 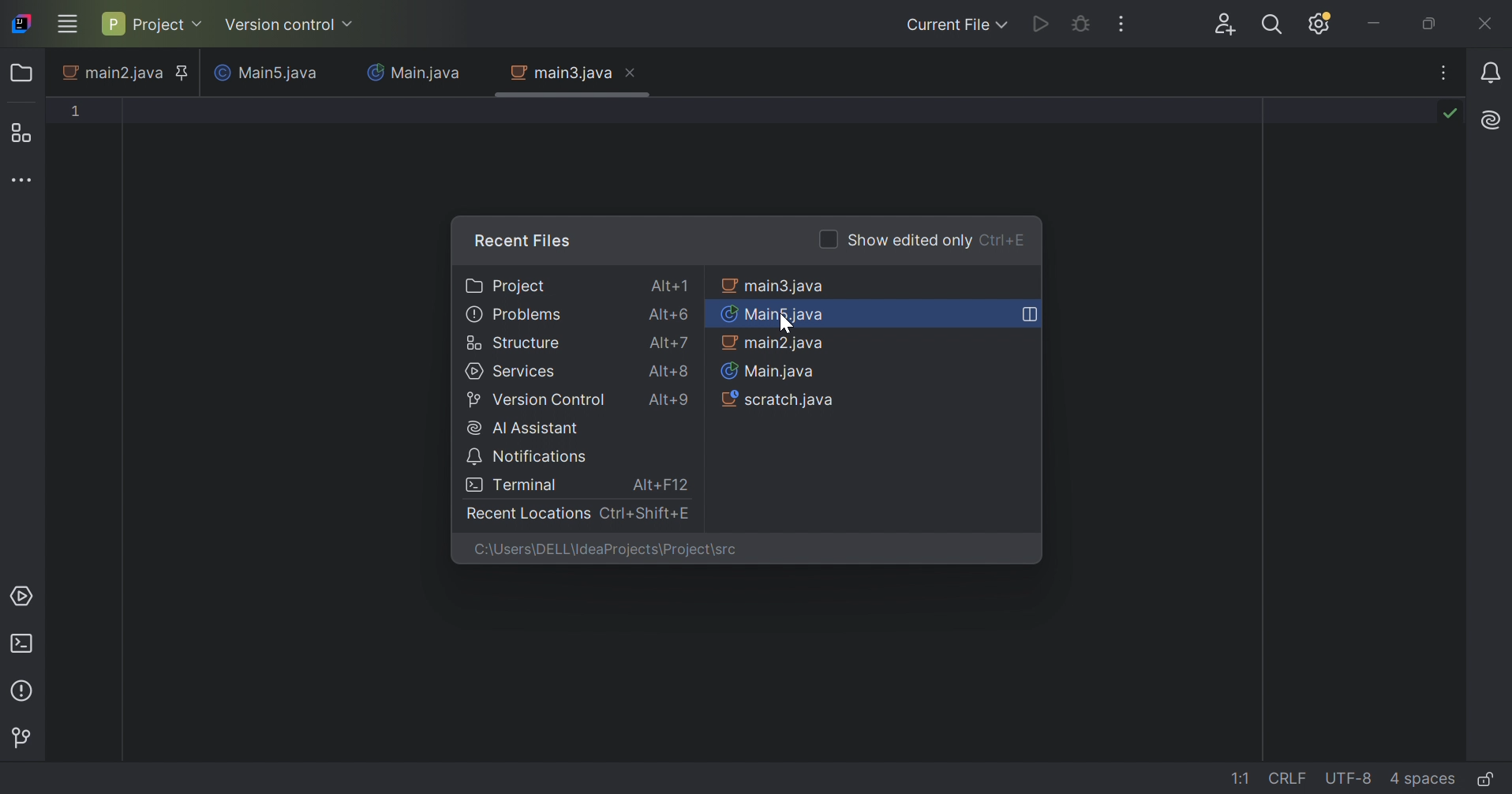 I want to click on Close, so click(x=632, y=73).